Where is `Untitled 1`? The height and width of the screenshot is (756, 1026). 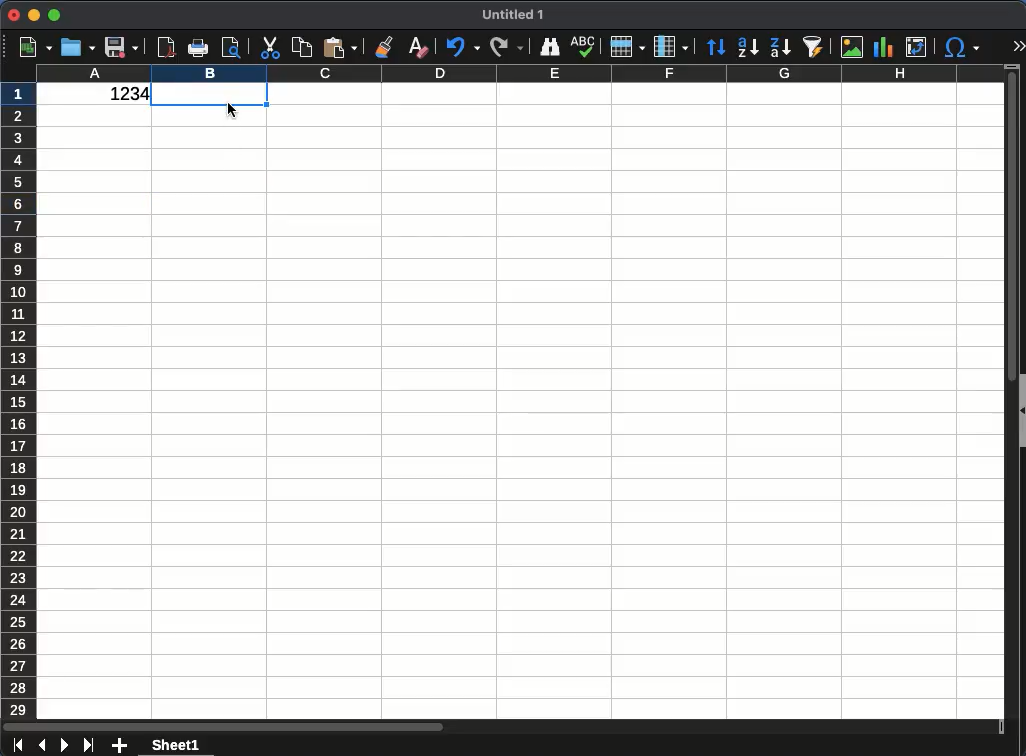 Untitled 1 is located at coordinates (514, 15).